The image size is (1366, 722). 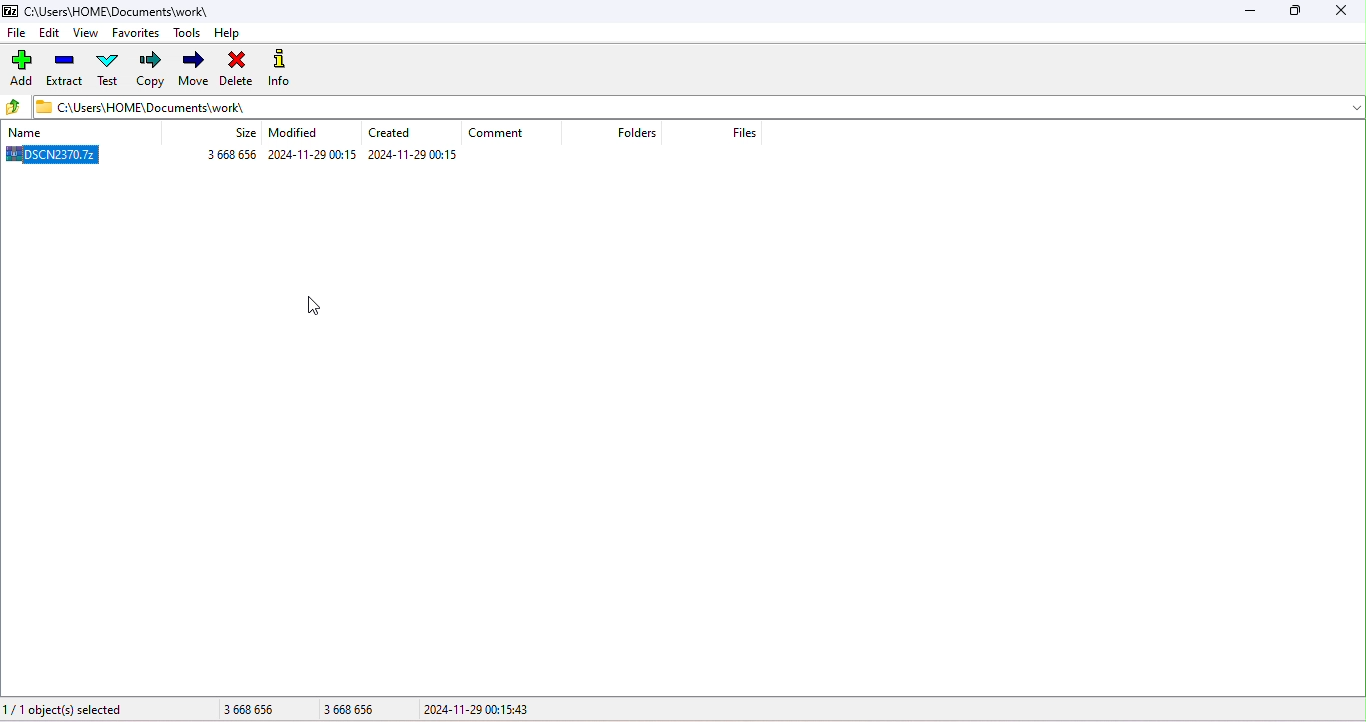 What do you see at coordinates (415, 155) in the screenshot?
I see `created date and time` at bounding box center [415, 155].